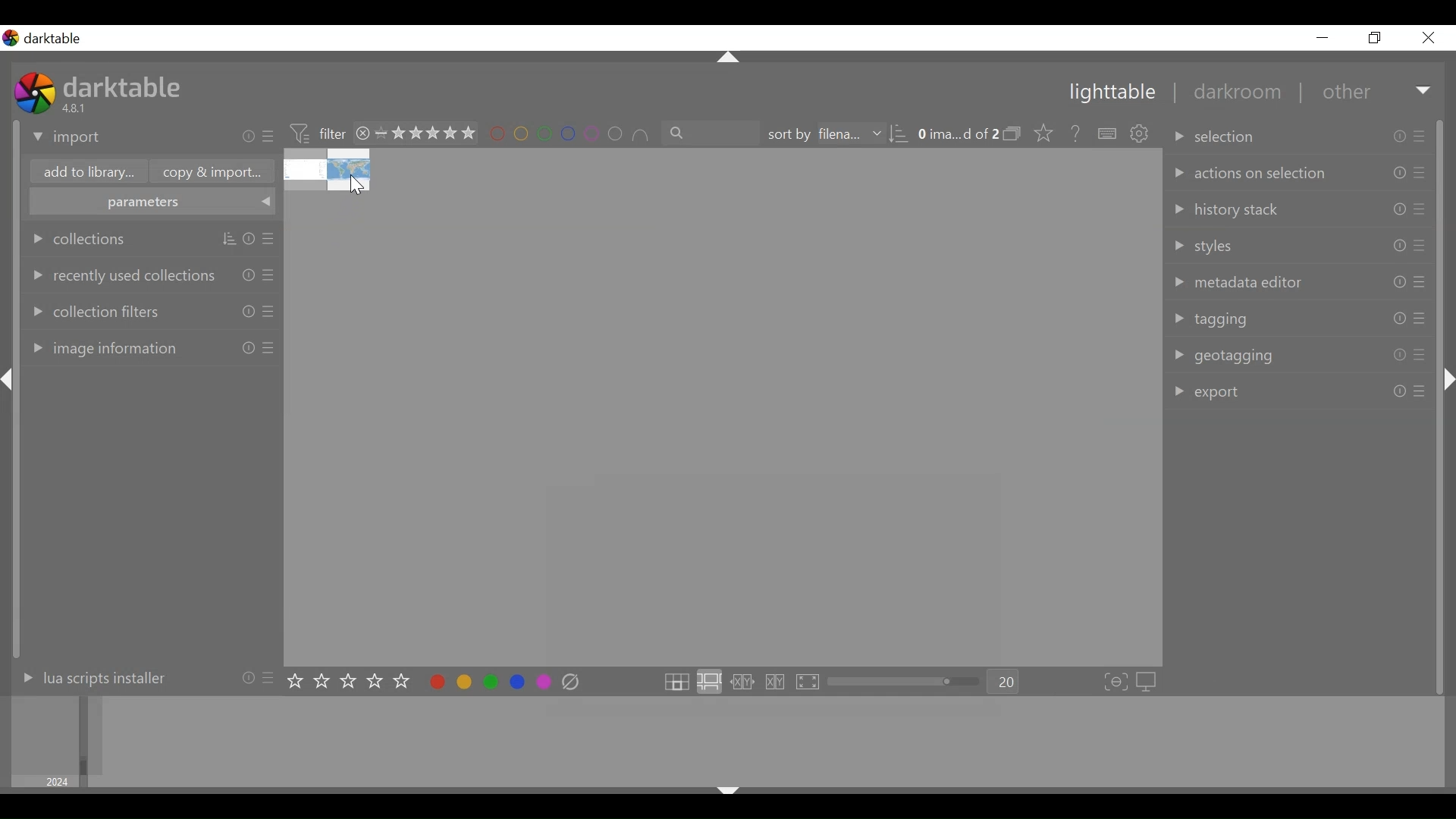 Image resolution: width=1456 pixels, height=819 pixels. Describe the element at coordinates (1421, 211) in the screenshot. I see `` at that location.